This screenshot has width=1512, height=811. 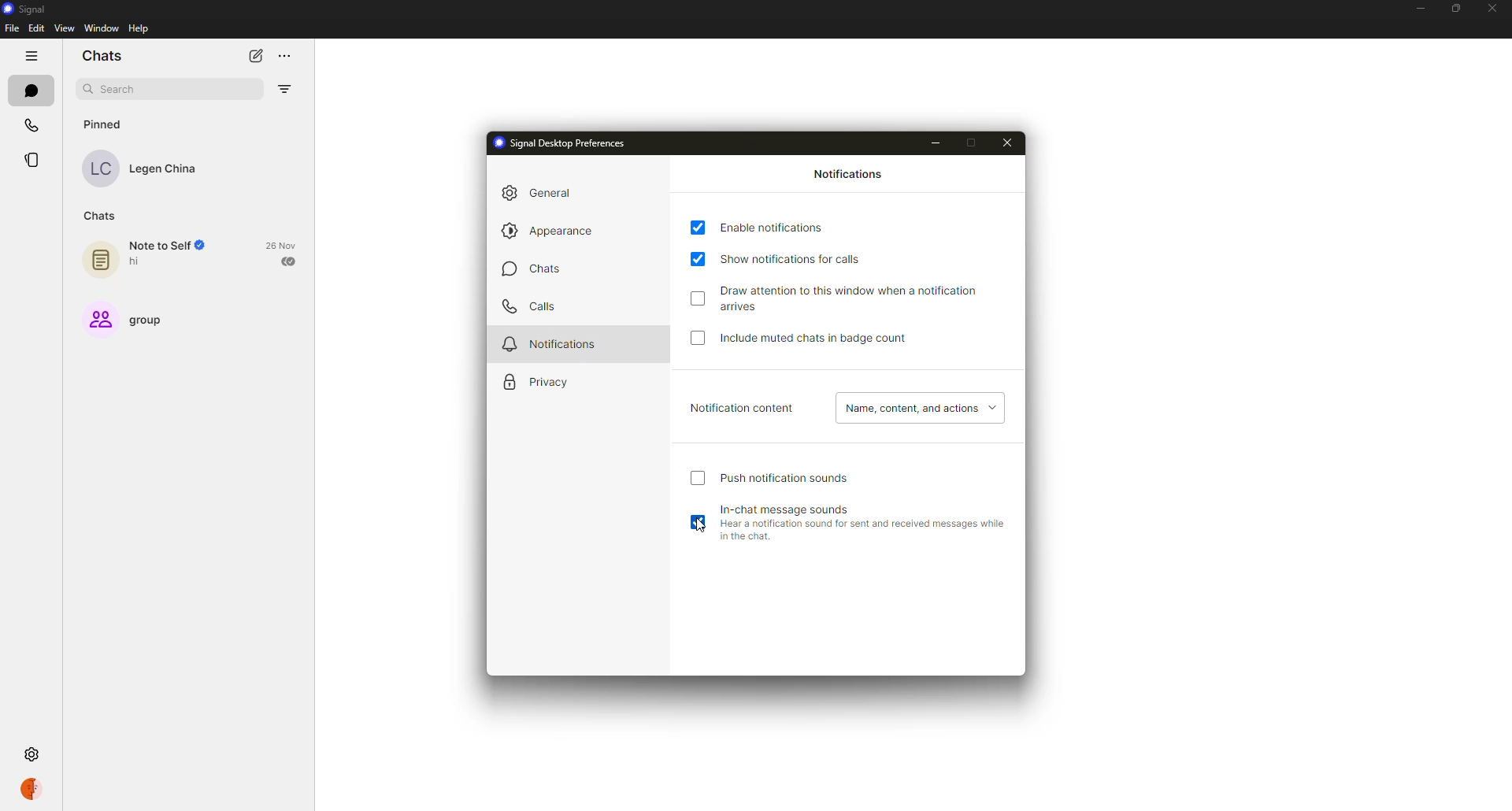 I want to click on more, so click(x=287, y=54).